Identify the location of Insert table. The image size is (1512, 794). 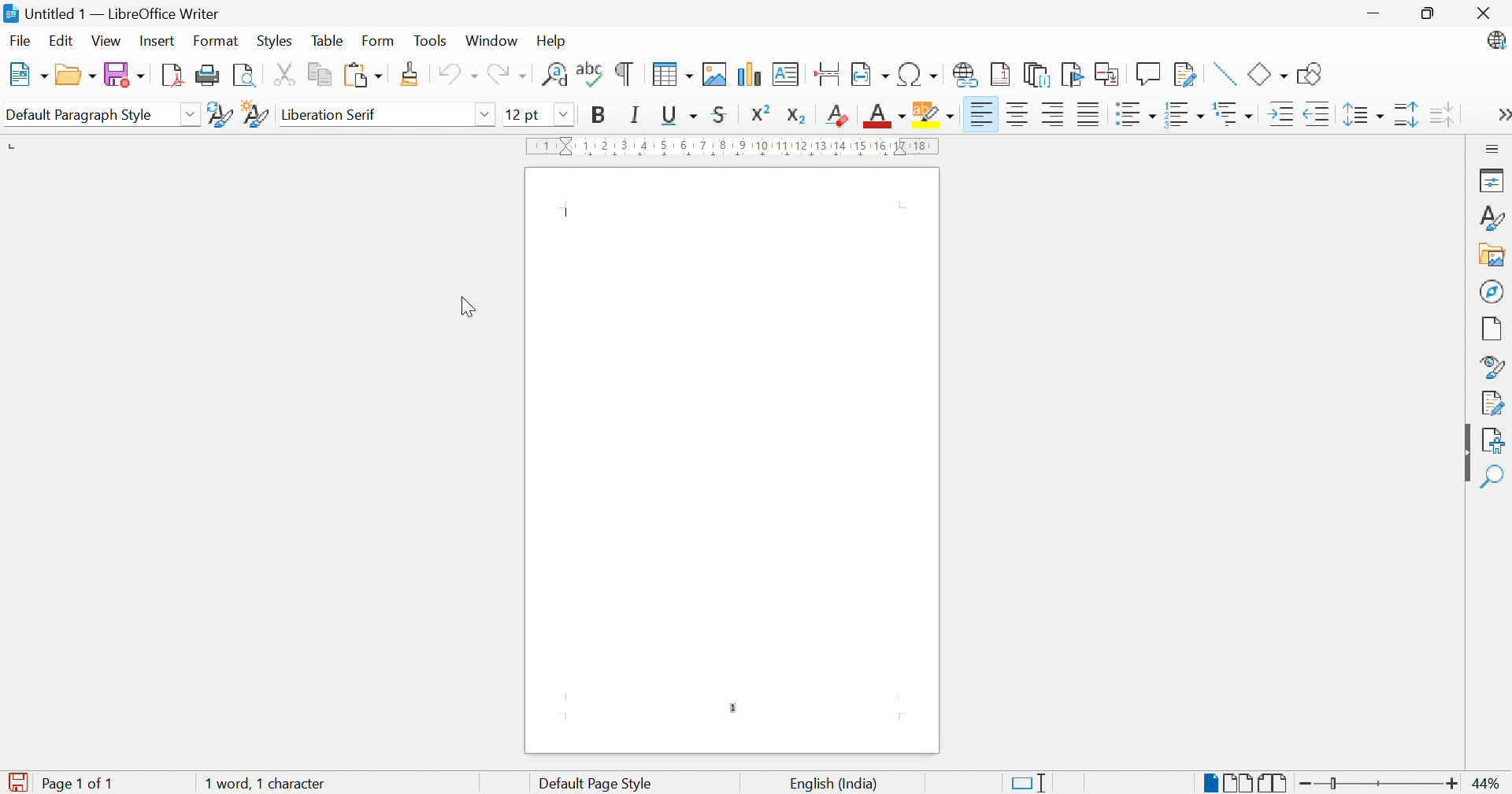
(669, 74).